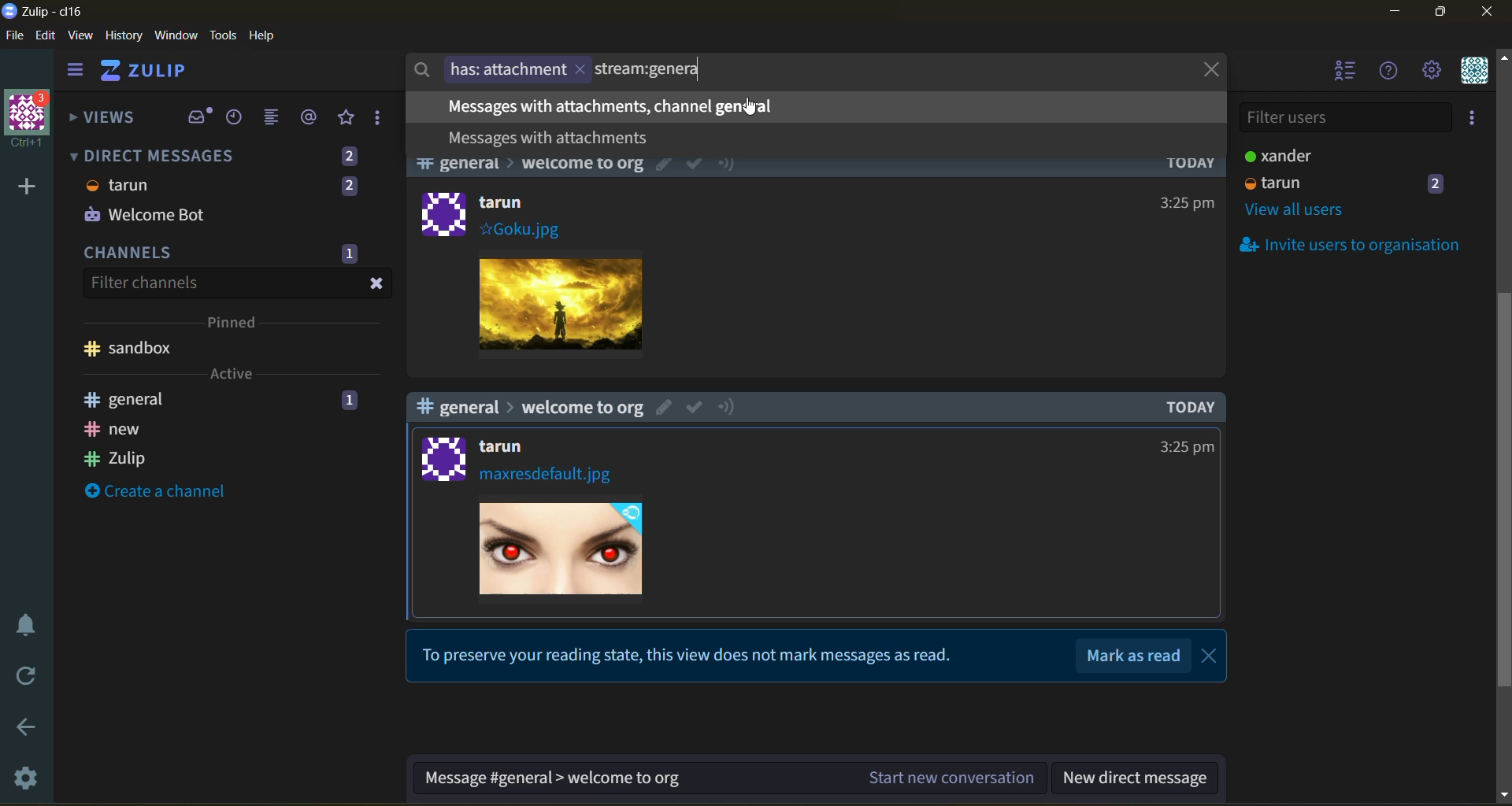 The image size is (1512, 806). I want to click on pinned, so click(235, 324).